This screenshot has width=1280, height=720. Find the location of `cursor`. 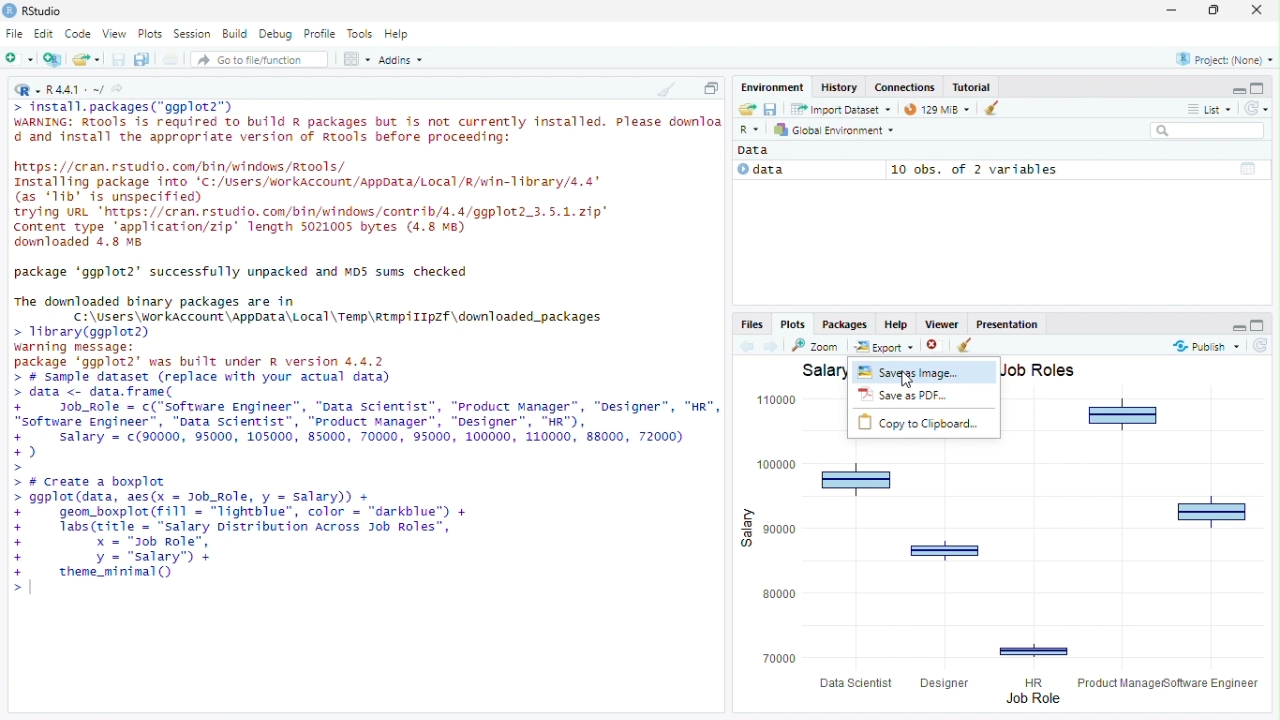

cursor is located at coordinates (905, 380).